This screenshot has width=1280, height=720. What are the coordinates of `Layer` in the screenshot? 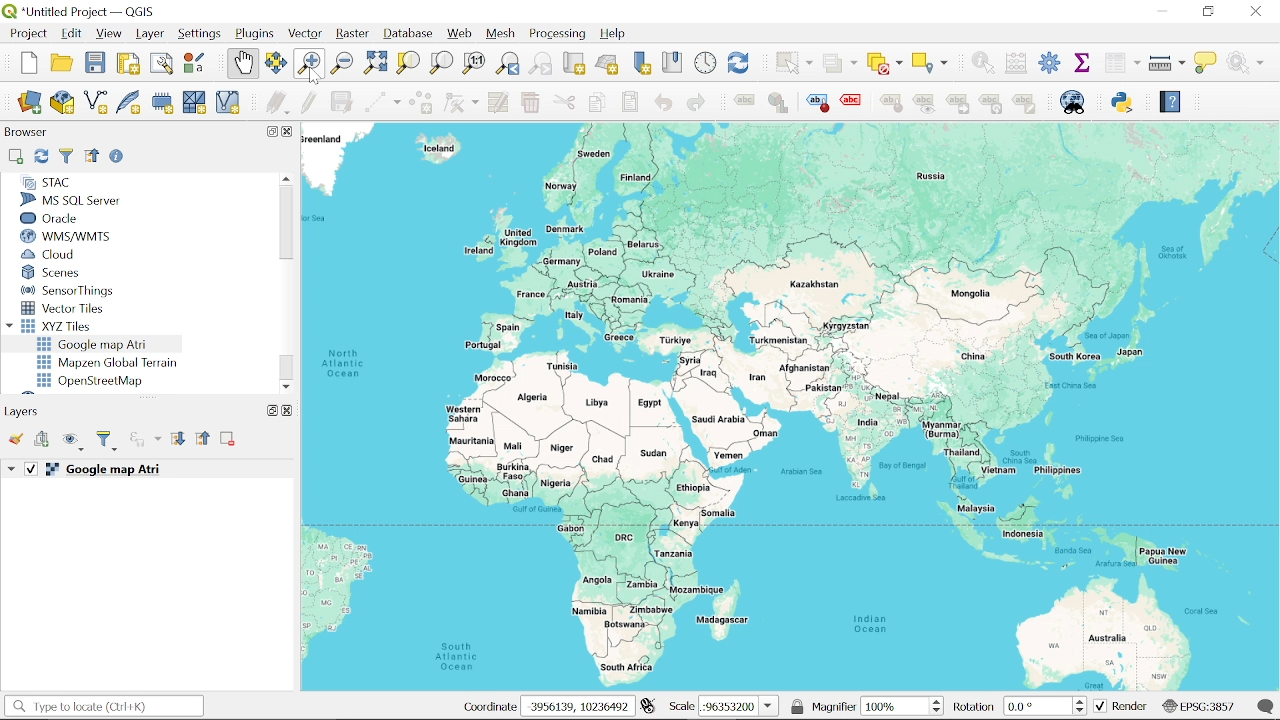 It's located at (150, 34).